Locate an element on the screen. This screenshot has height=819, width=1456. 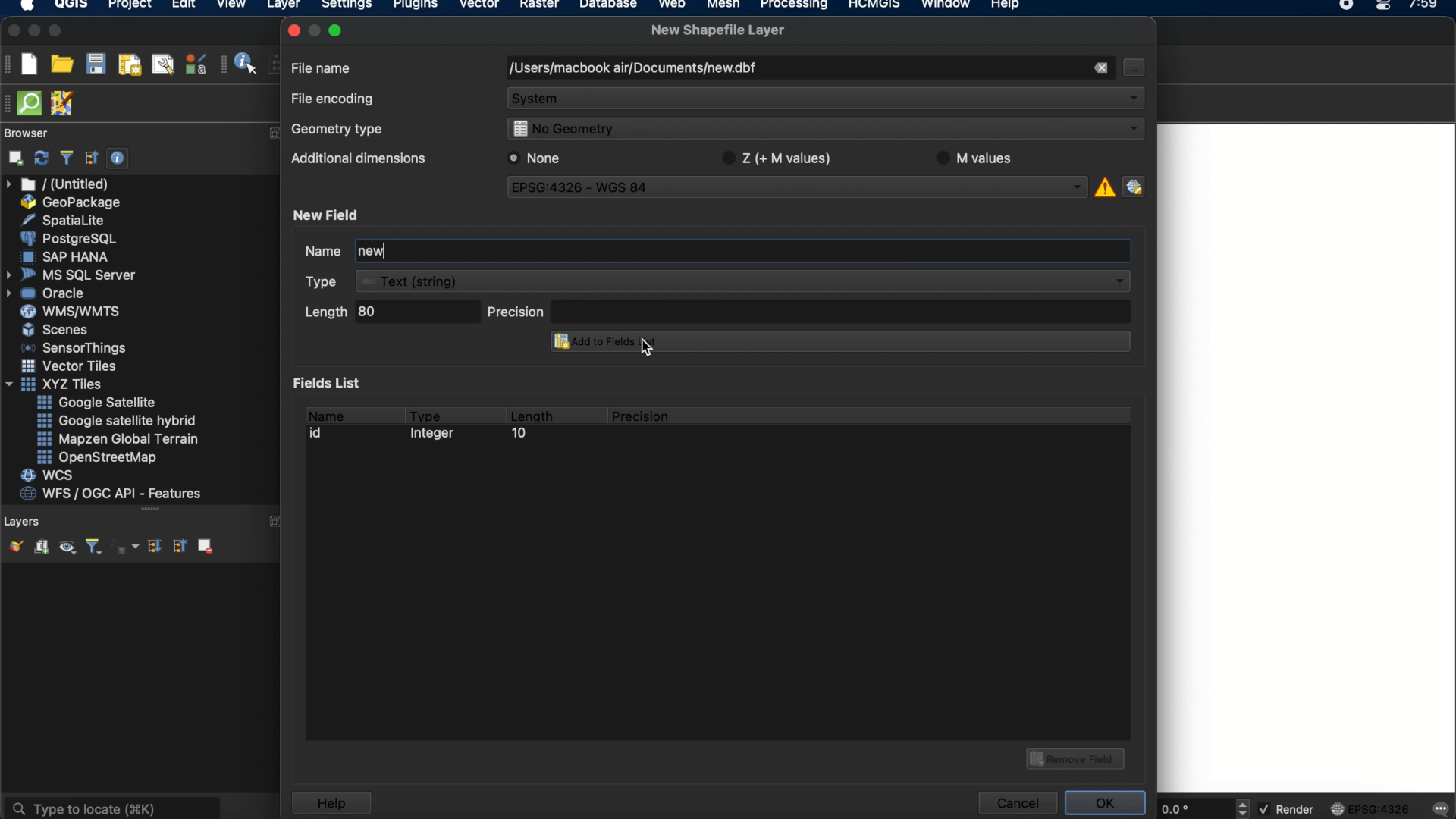
project toolbar is located at coordinates (9, 64).